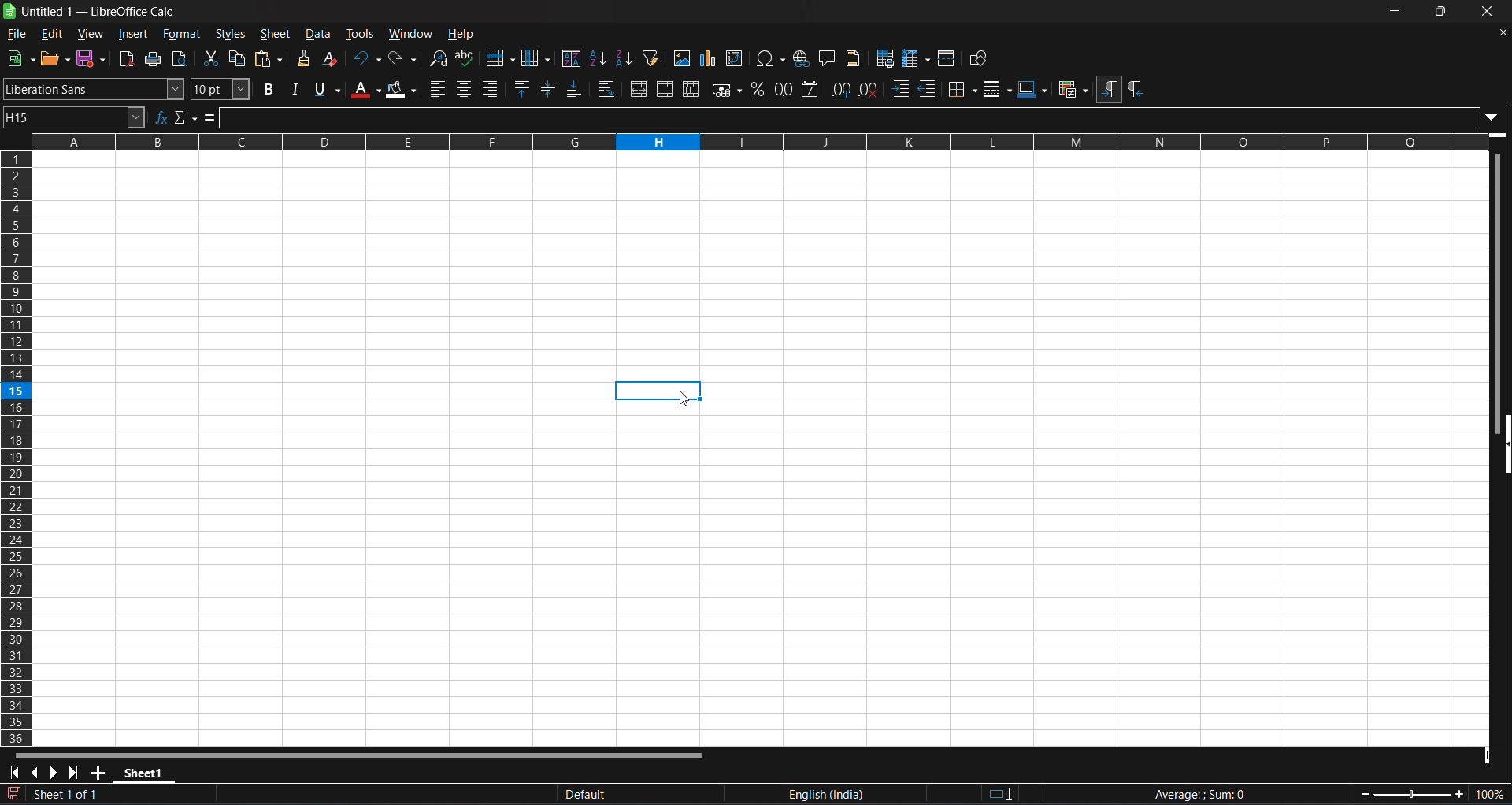  What do you see at coordinates (870, 90) in the screenshot?
I see `remove decimal place` at bounding box center [870, 90].